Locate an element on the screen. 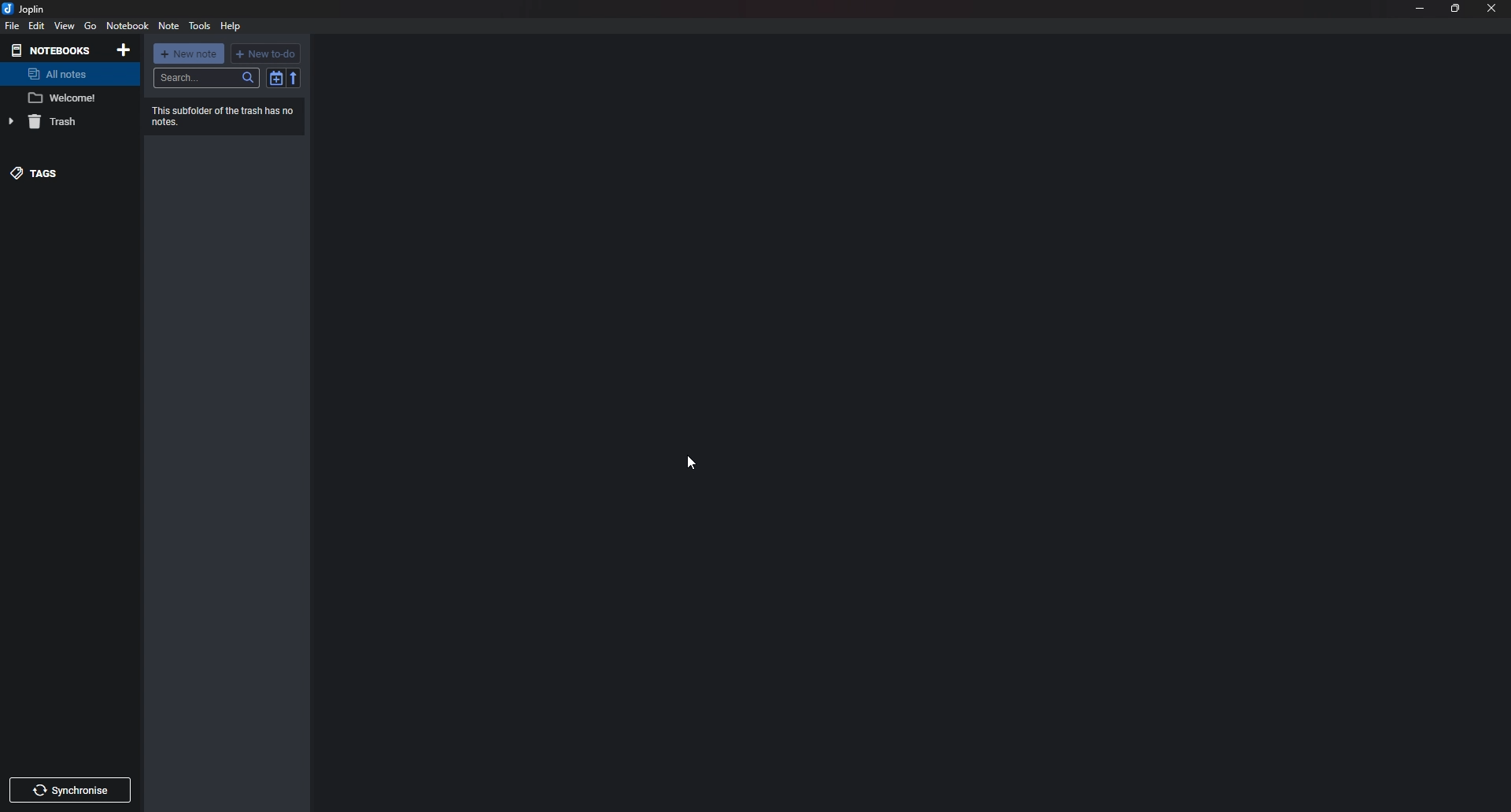 The height and width of the screenshot is (812, 1511). Trash is located at coordinates (59, 124).